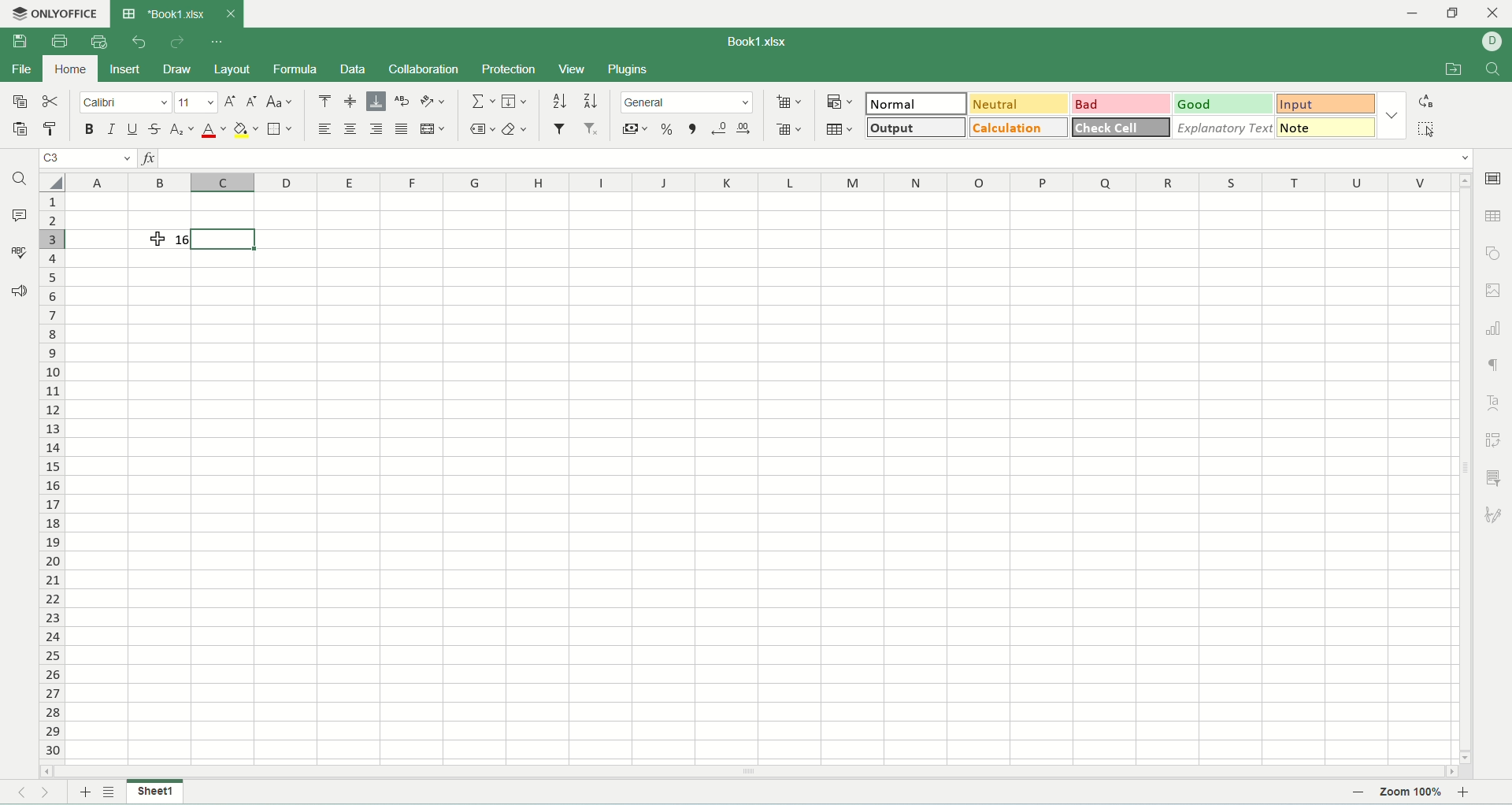 This screenshot has height=805, width=1512. What do you see at coordinates (53, 183) in the screenshot?
I see `select all` at bounding box center [53, 183].